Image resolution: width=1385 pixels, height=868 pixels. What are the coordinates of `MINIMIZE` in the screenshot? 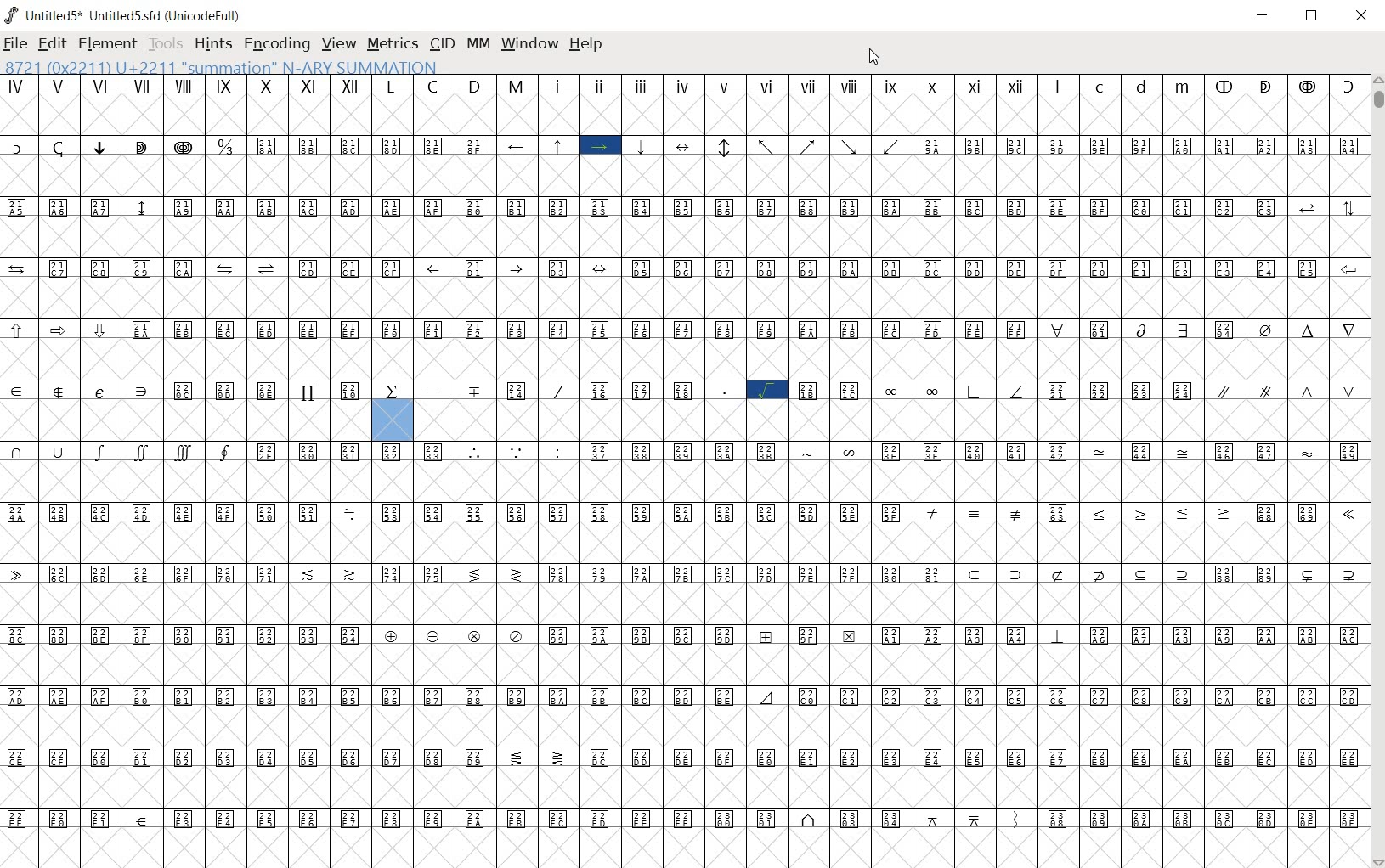 It's located at (1263, 16).